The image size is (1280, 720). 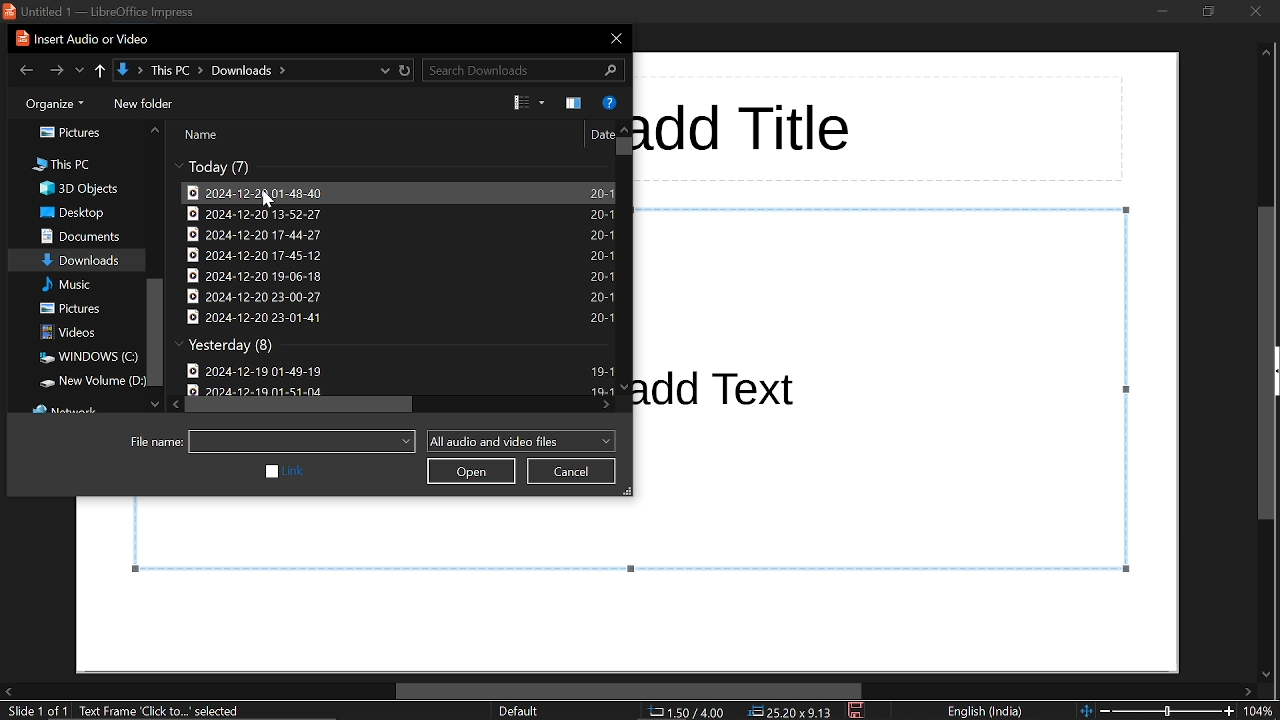 I want to click on name, so click(x=203, y=135).